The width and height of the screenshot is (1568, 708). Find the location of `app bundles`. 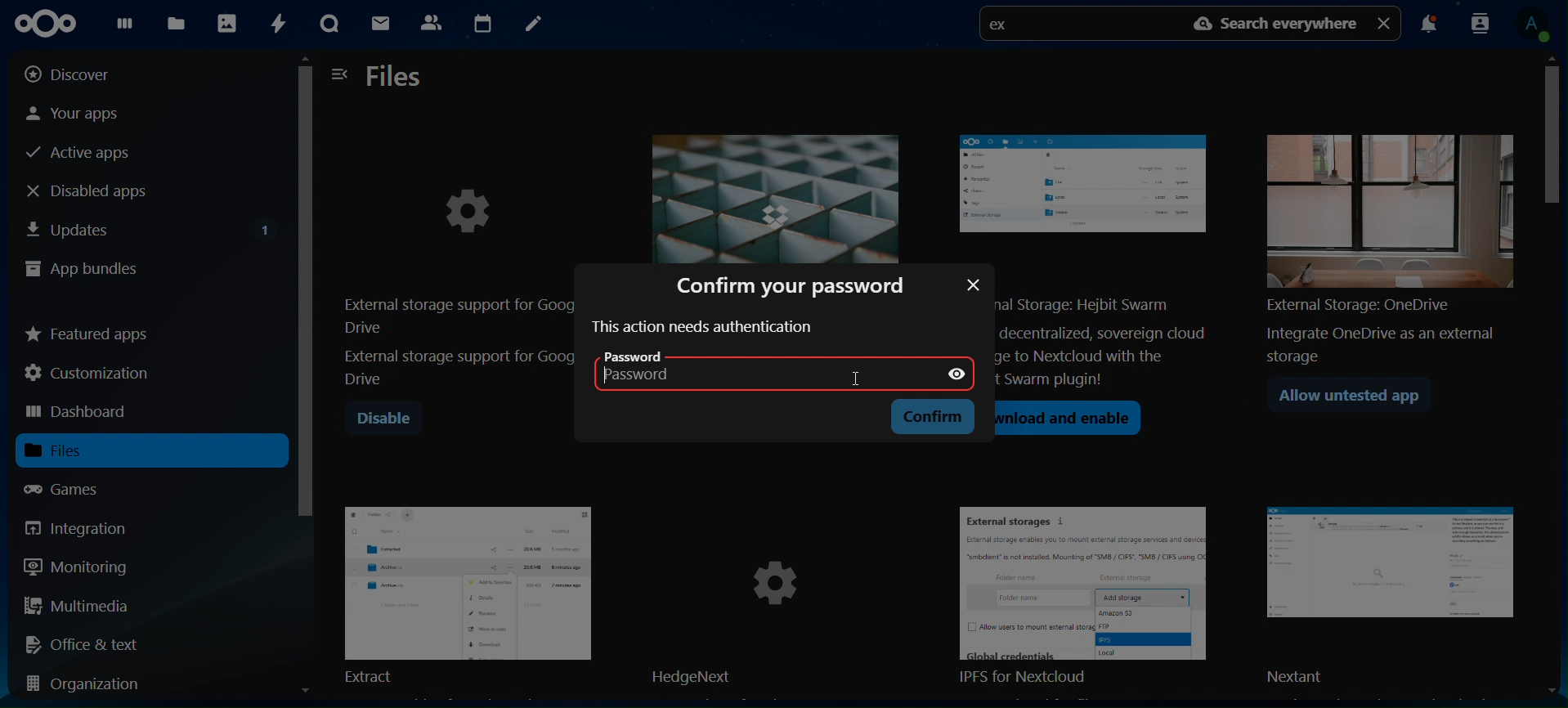

app bundles is located at coordinates (82, 271).